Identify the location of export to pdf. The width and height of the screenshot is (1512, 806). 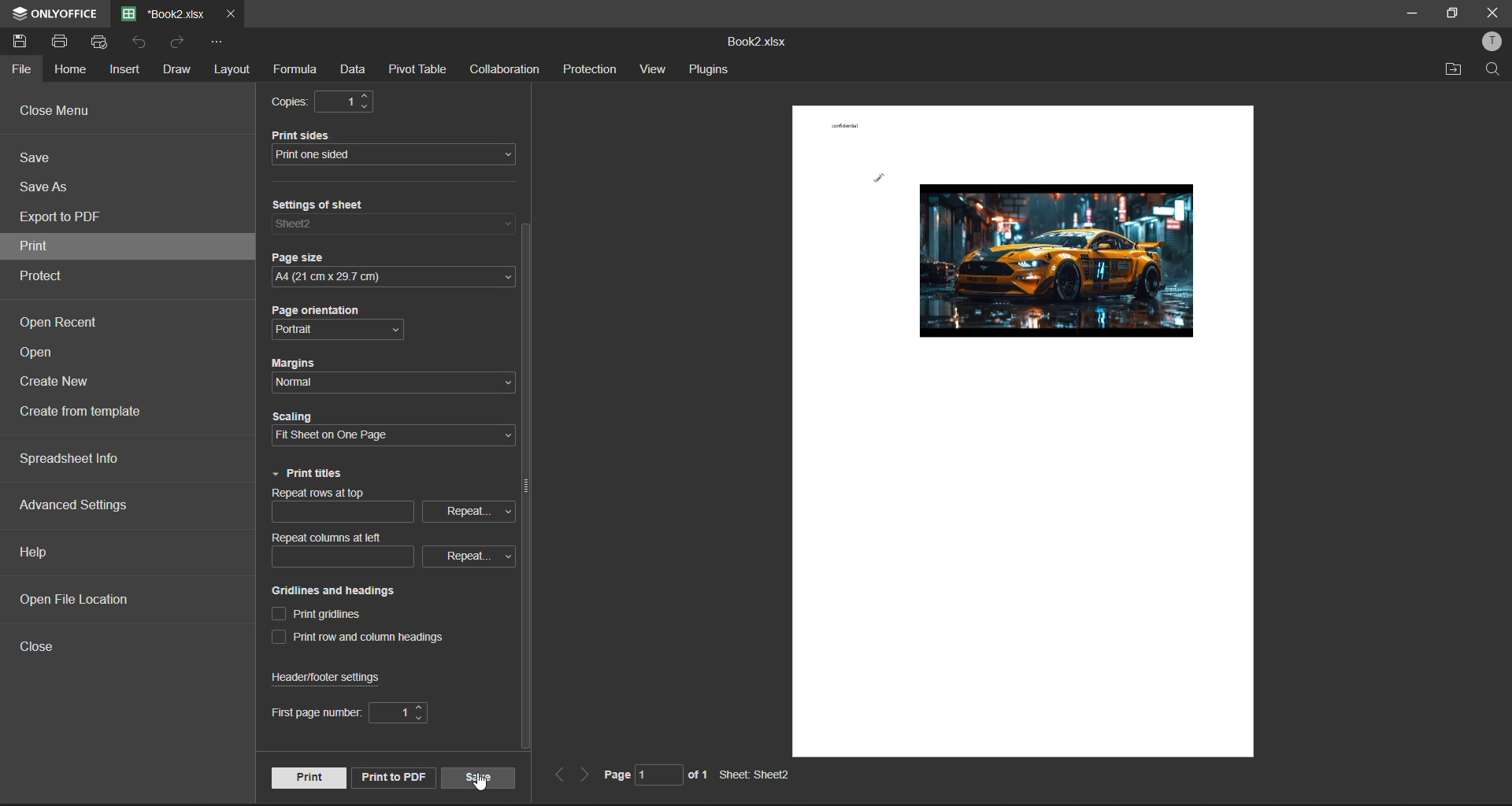
(62, 220).